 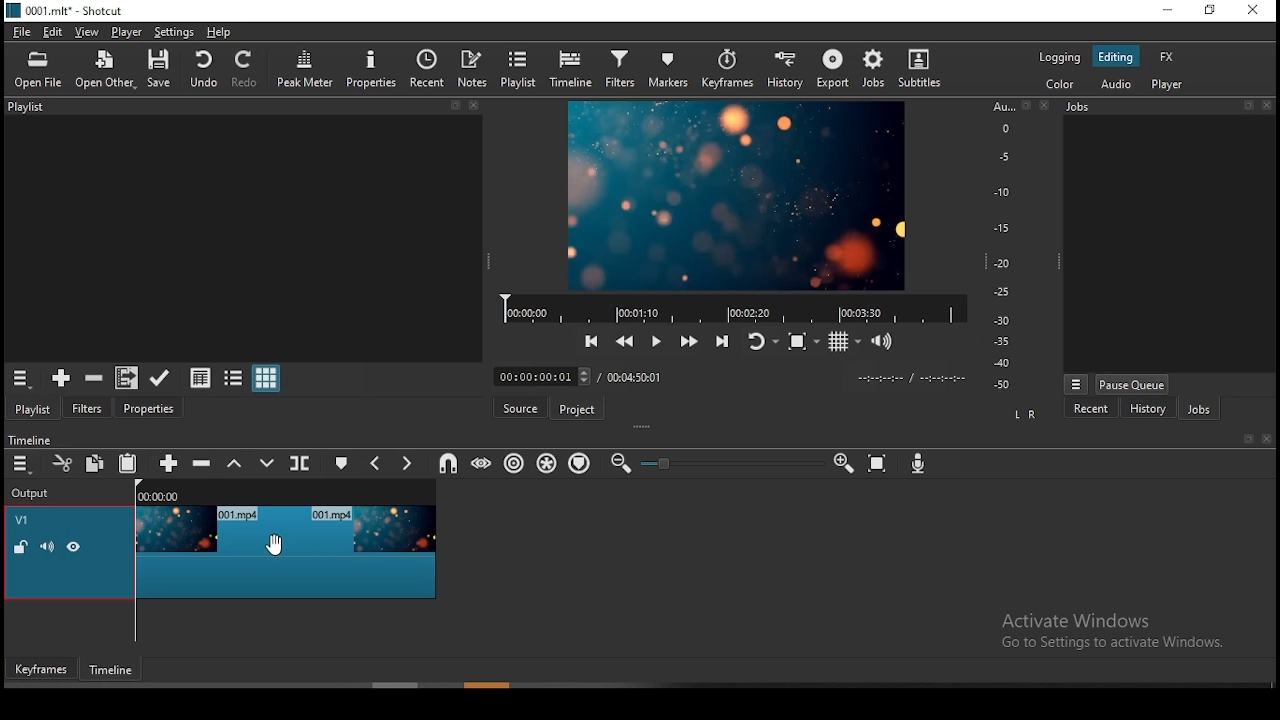 What do you see at coordinates (95, 380) in the screenshot?
I see `remove cut` at bounding box center [95, 380].